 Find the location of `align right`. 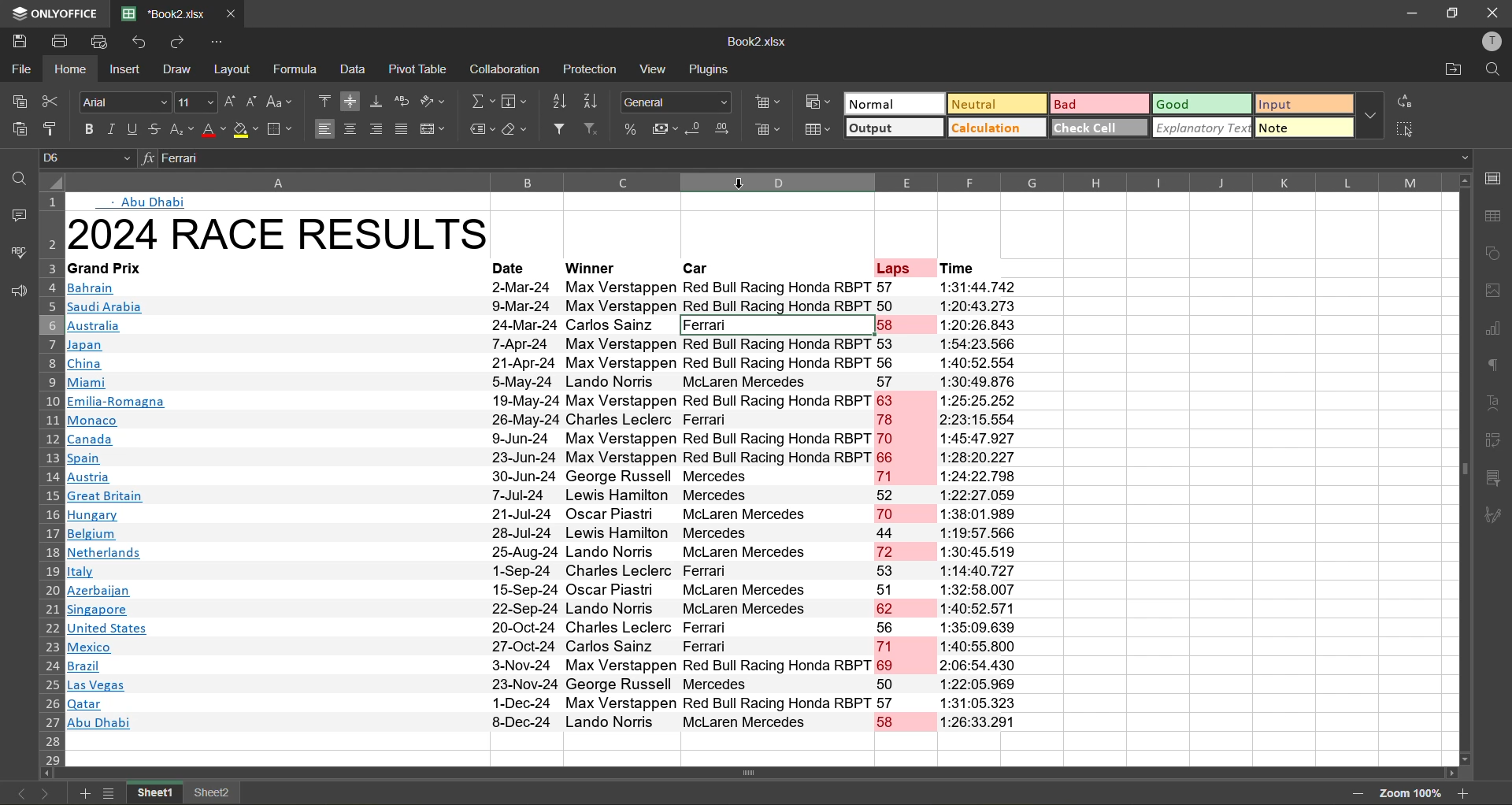

align right is located at coordinates (375, 129).